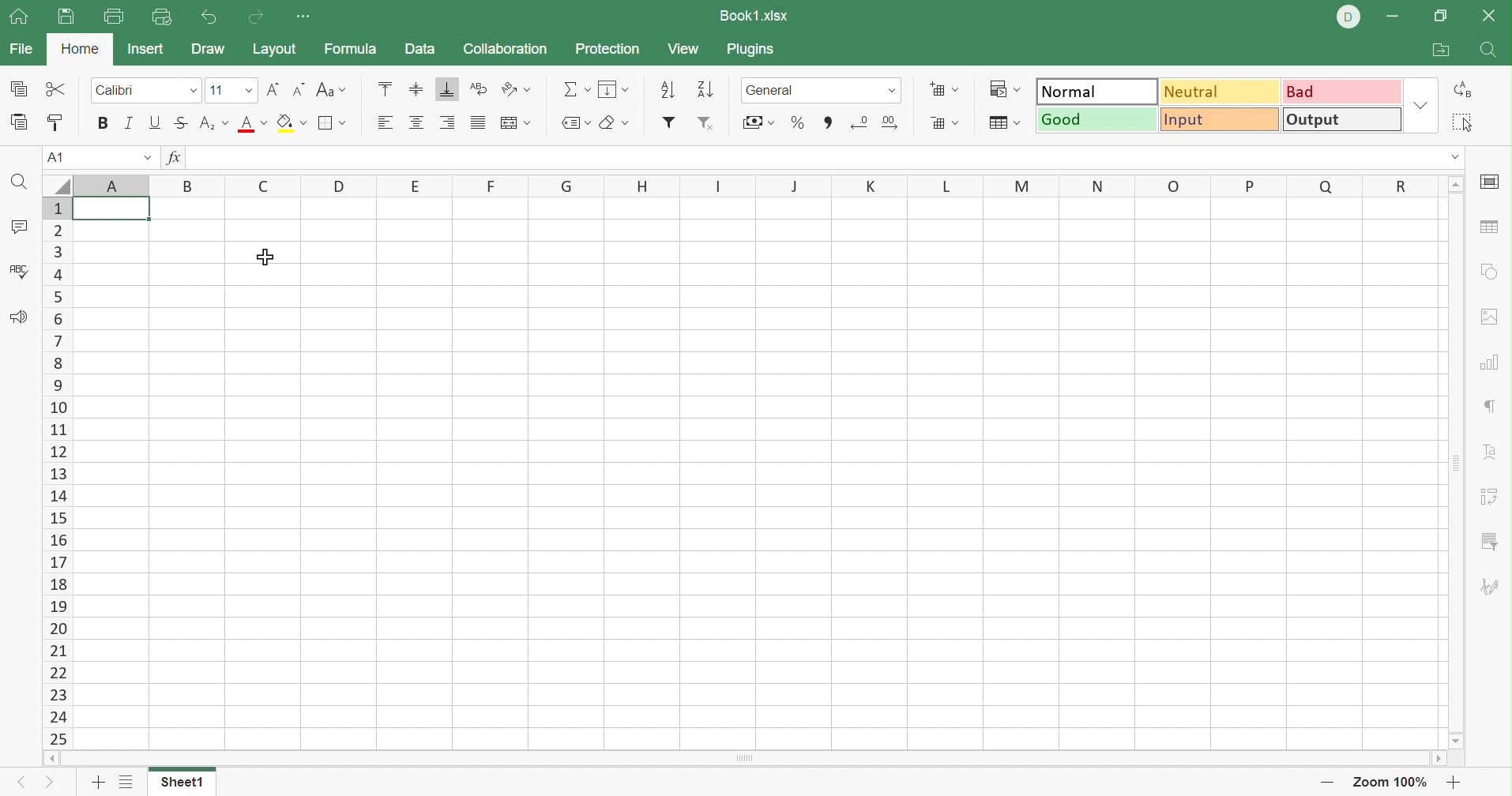 Image resolution: width=1512 pixels, height=796 pixels. What do you see at coordinates (100, 782) in the screenshot?
I see `Add sheet` at bounding box center [100, 782].